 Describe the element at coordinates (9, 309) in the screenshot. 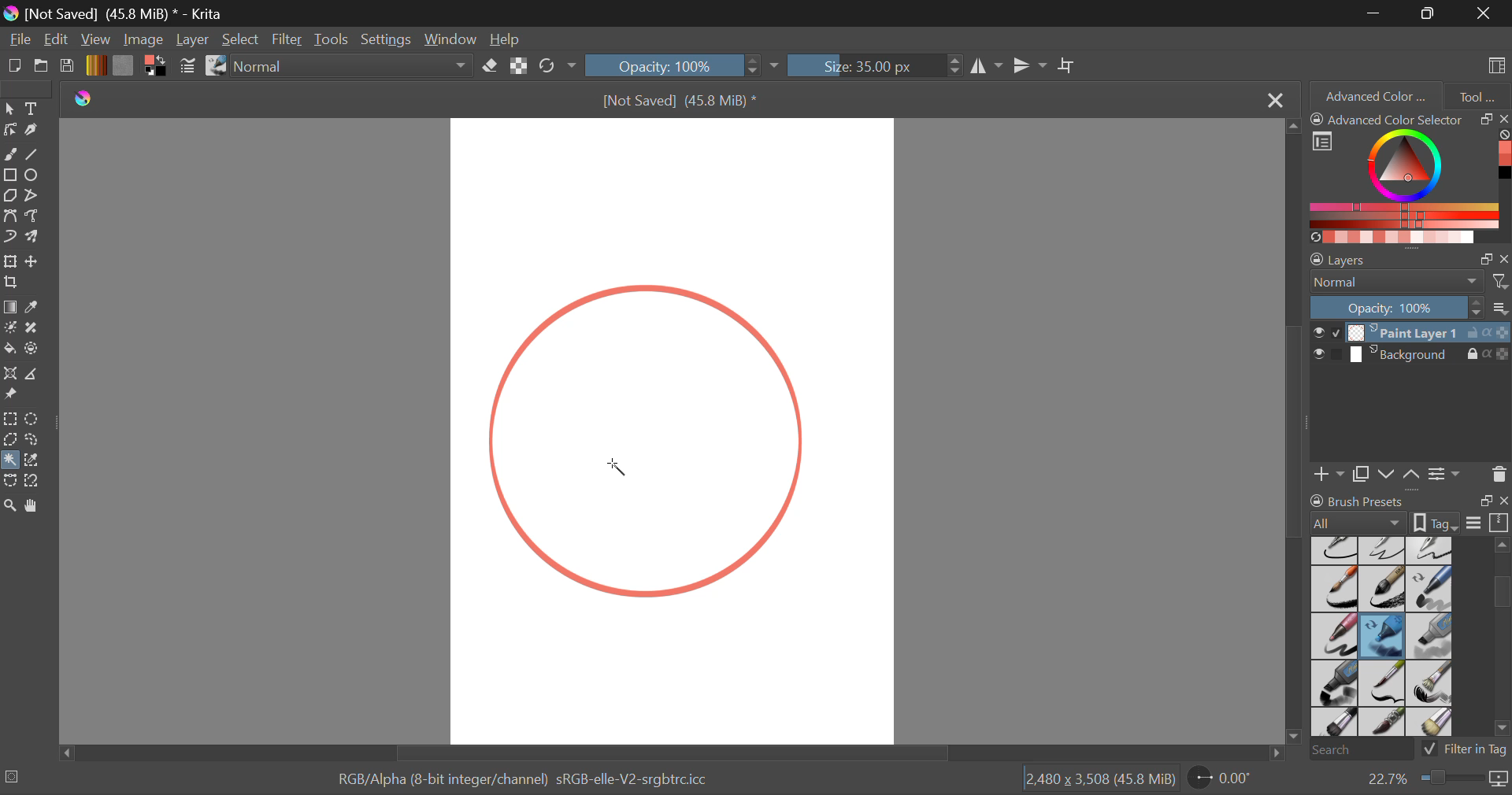

I see `Gradient Fill` at that location.